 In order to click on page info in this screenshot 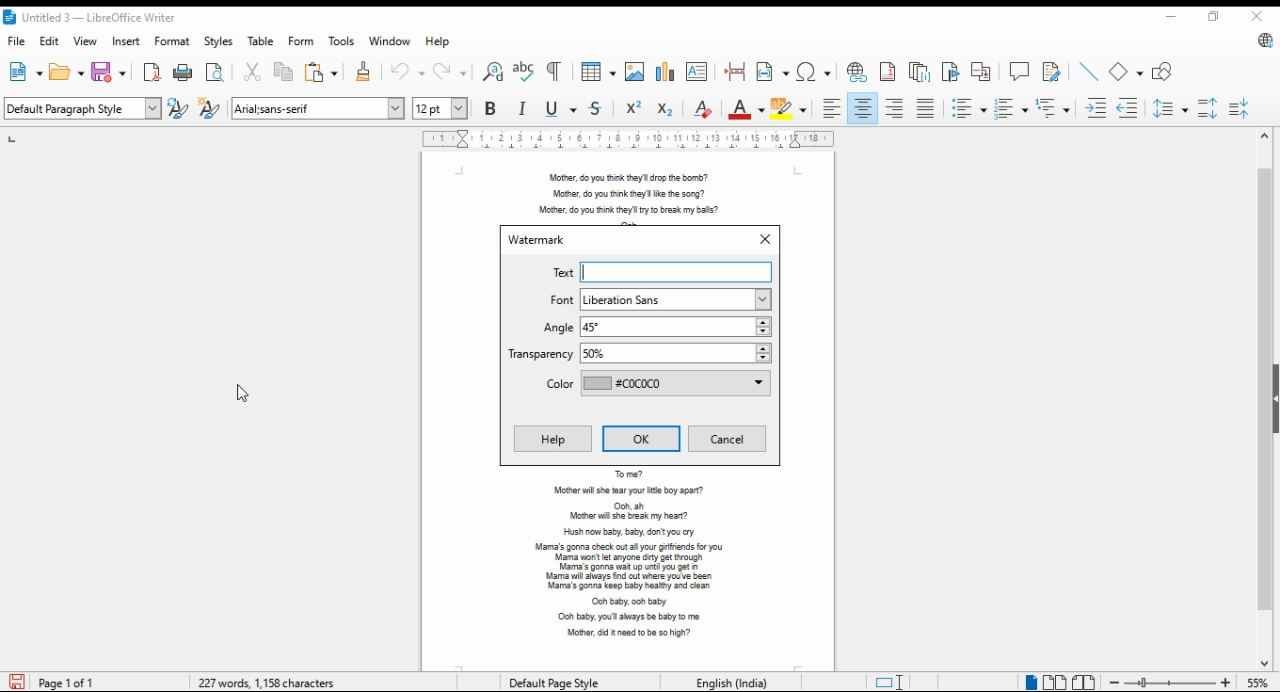, I will do `click(57, 683)`.